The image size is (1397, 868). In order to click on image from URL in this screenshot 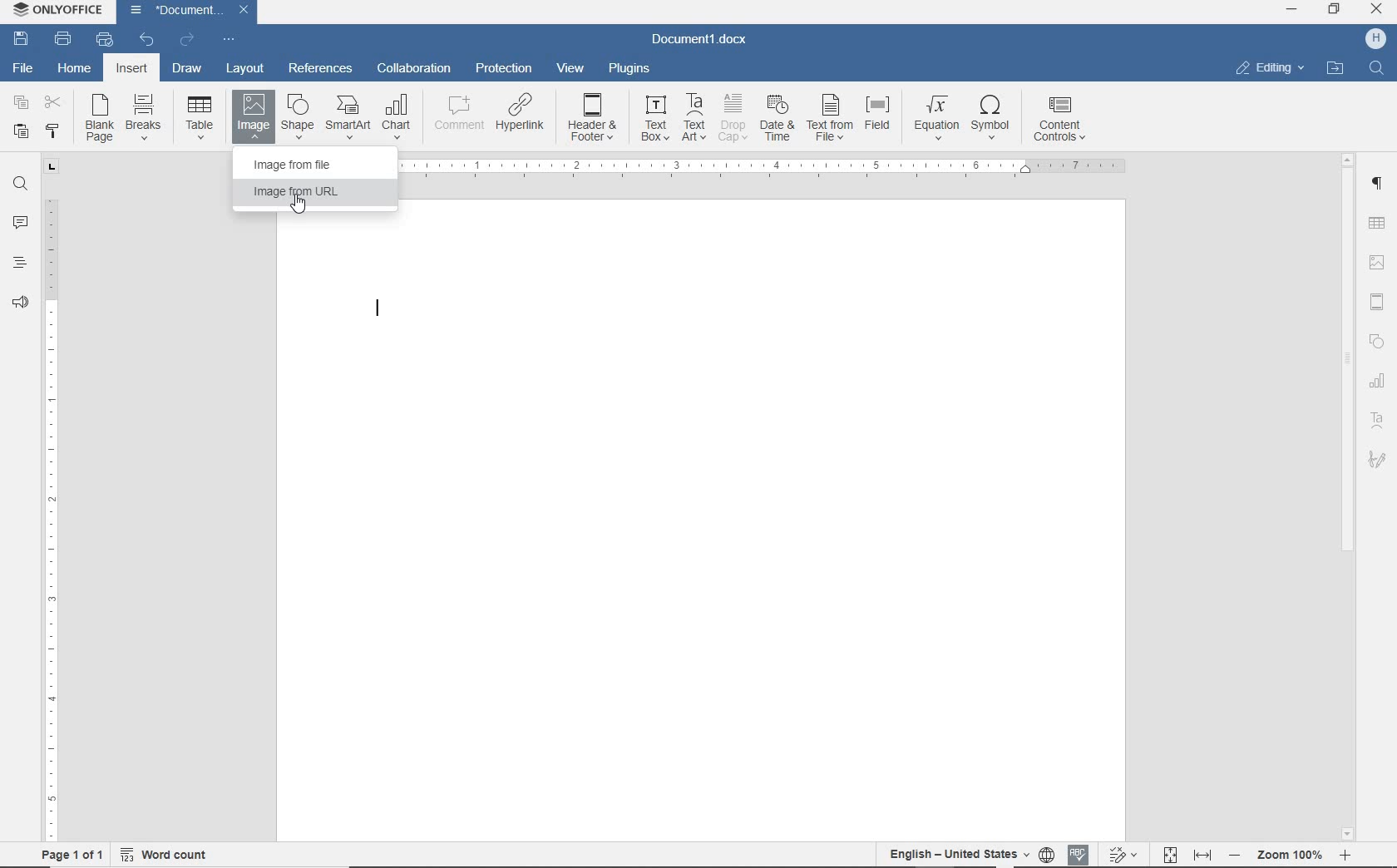, I will do `click(299, 193)`.